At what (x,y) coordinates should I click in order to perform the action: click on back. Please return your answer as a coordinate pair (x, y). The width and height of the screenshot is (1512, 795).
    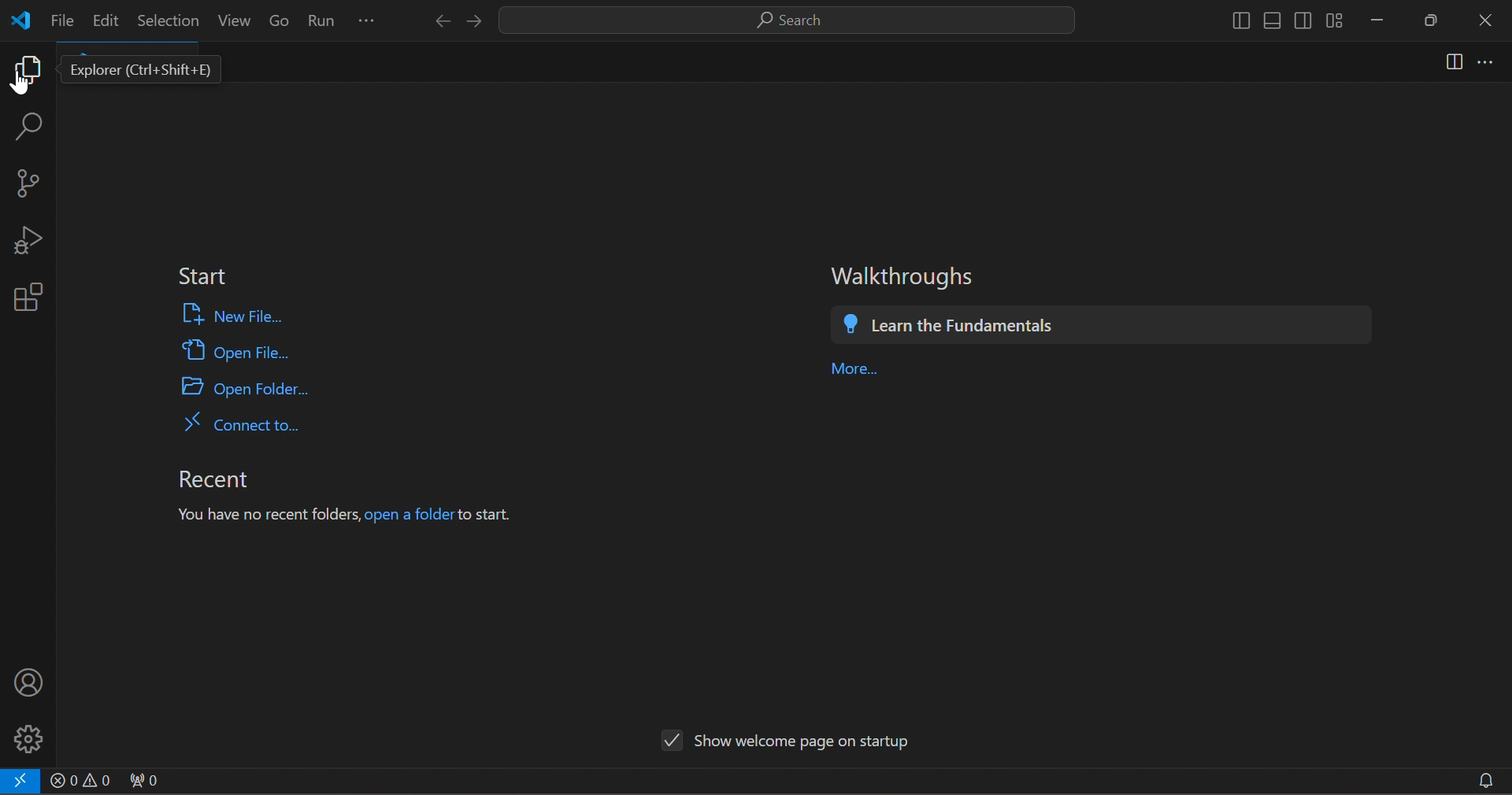
    Looking at the image, I should click on (442, 20).